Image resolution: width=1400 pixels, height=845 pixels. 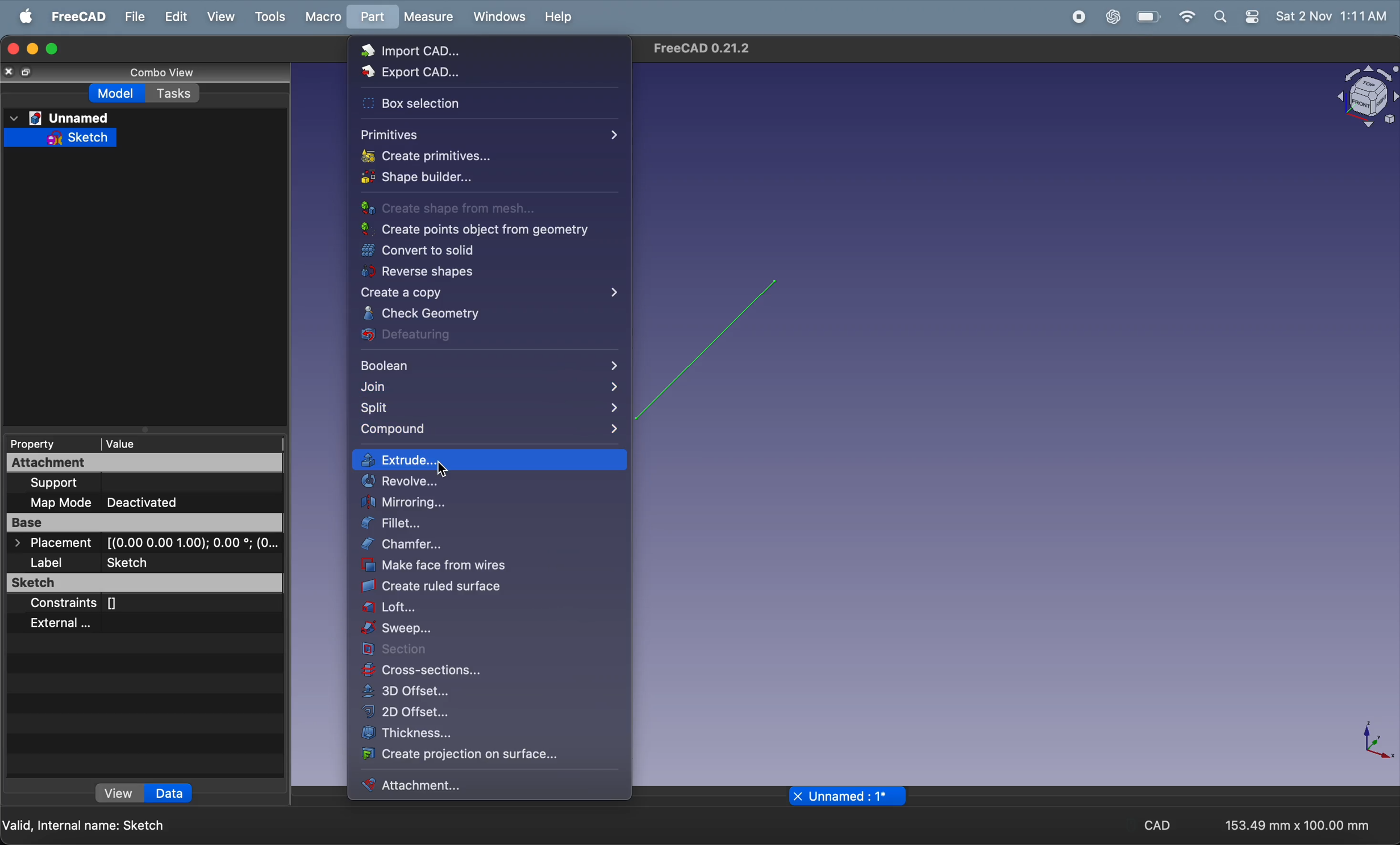 I want to click on split, so click(x=488, y=409).